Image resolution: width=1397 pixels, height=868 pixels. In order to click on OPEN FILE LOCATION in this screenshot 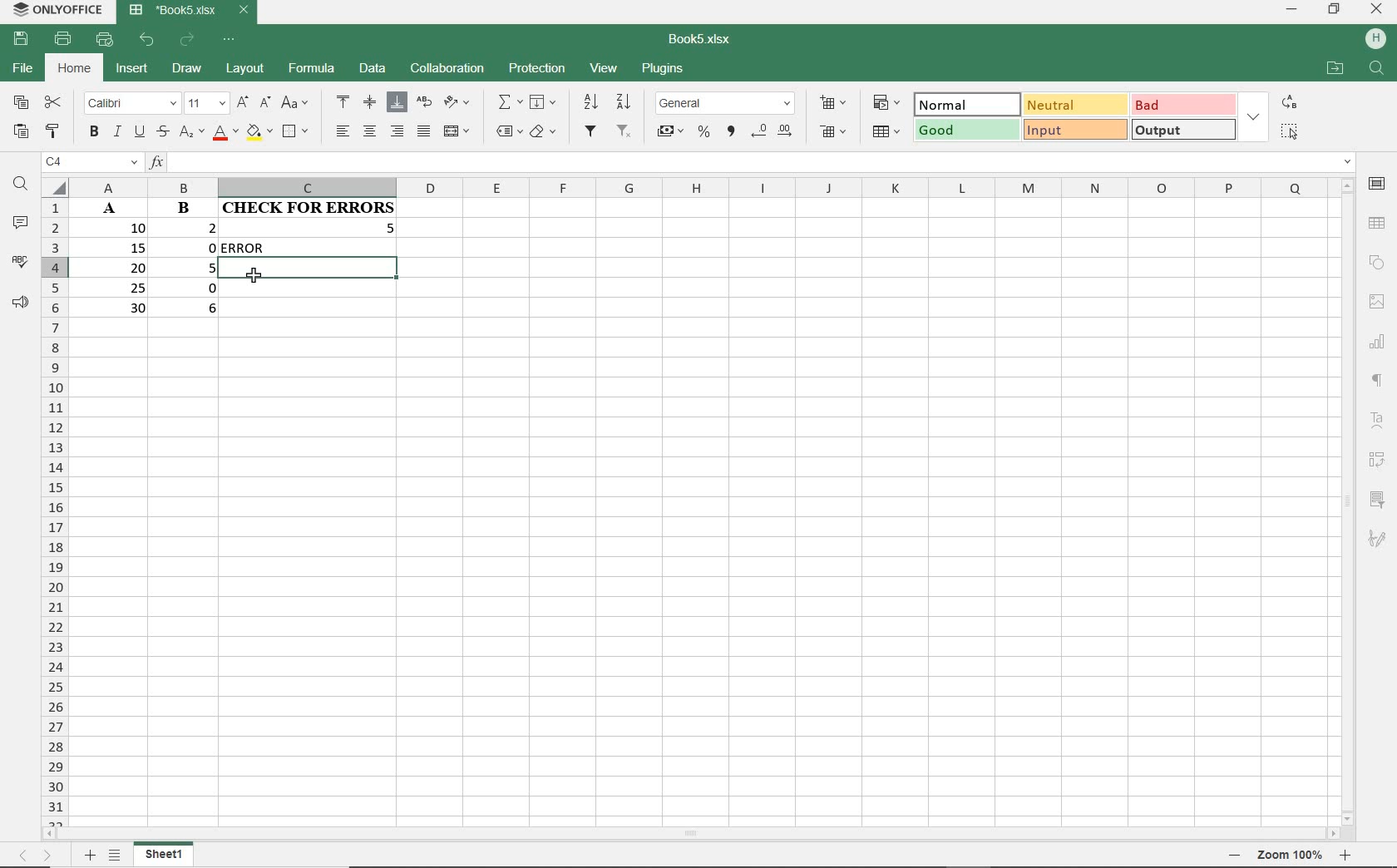, I will do `click(1334, 67)`.